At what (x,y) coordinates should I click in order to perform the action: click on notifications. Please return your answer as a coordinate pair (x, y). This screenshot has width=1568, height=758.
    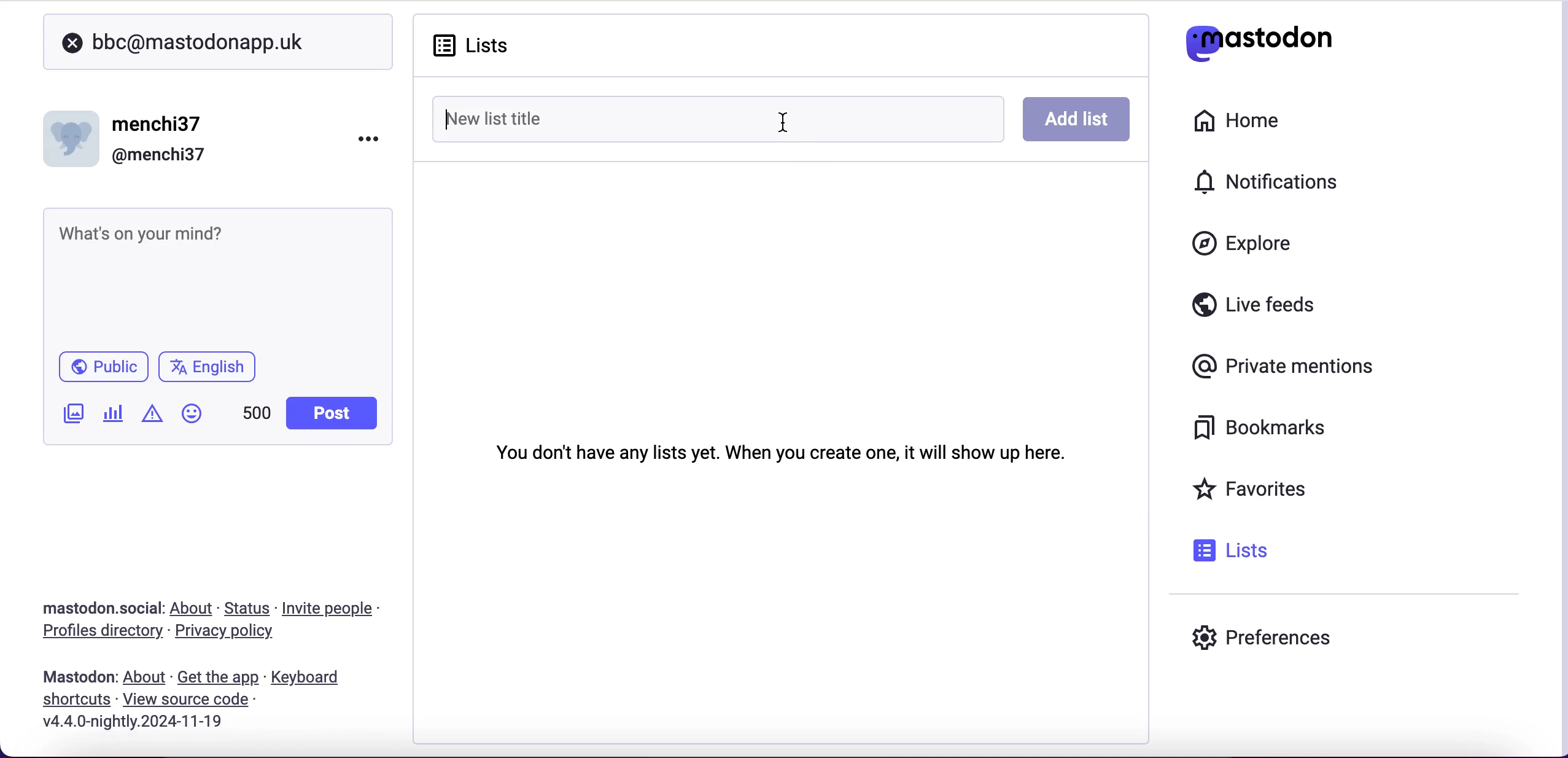
    Looking at the image, I should click on (1259, 180).